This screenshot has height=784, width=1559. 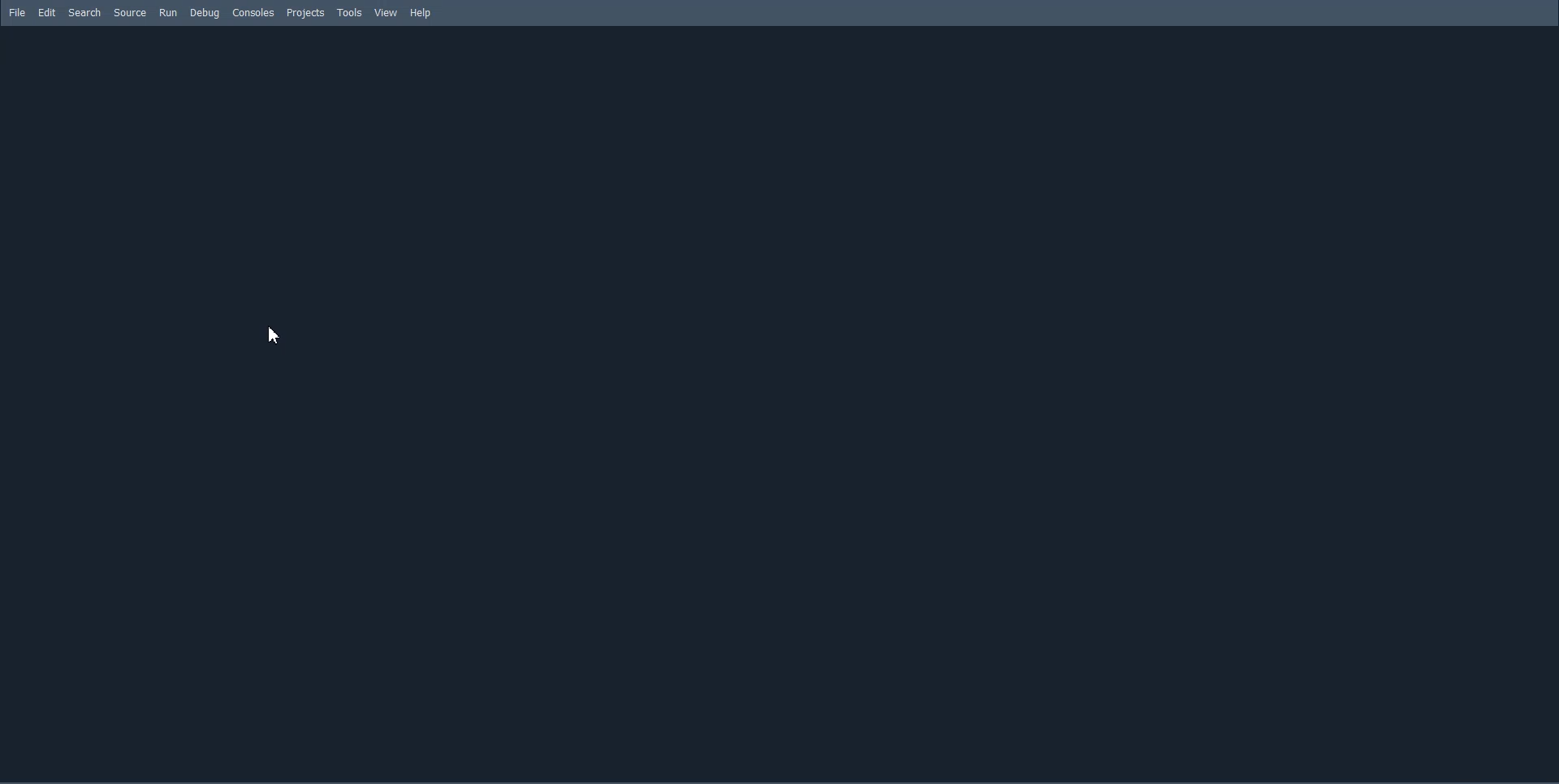 What do you see at coordinates (130, 13) in the screenshot?
I see `Source` at bounding box center [130, 13].